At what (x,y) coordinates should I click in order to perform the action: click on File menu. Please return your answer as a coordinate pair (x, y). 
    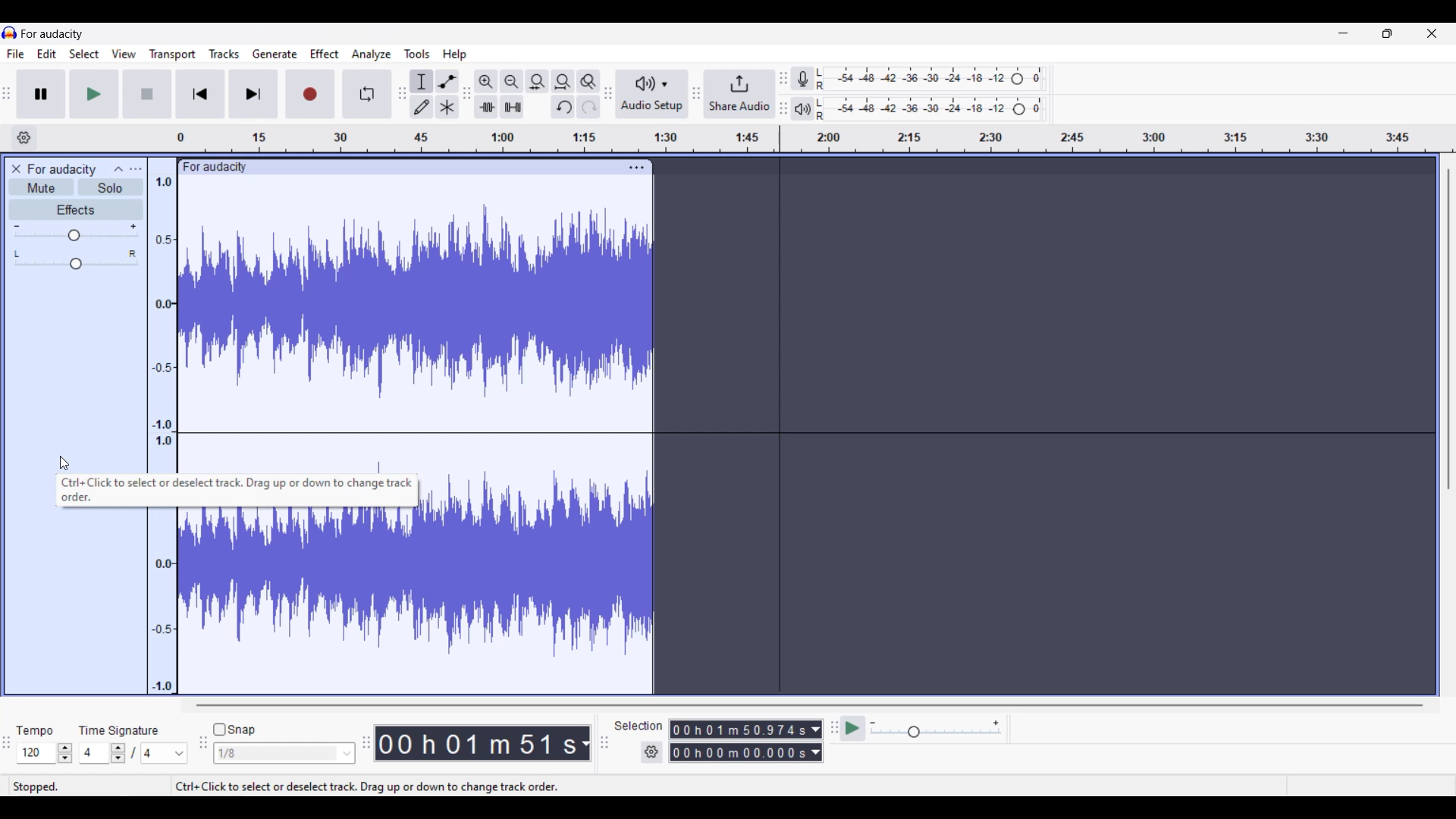
    Looking at the image, I should click on (16, 54).